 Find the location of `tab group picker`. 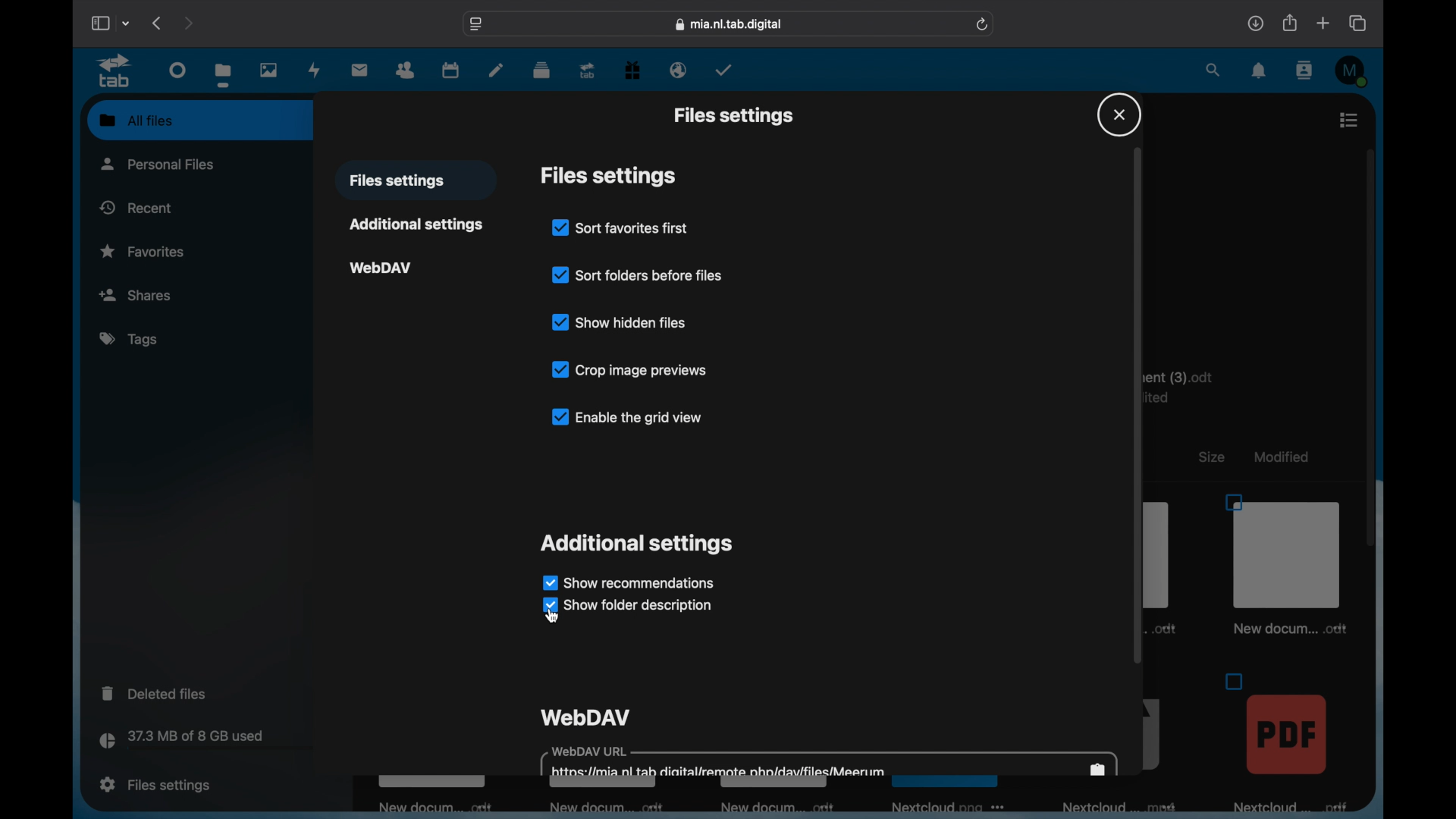

tab group picker is located at coordinates (127, 23).